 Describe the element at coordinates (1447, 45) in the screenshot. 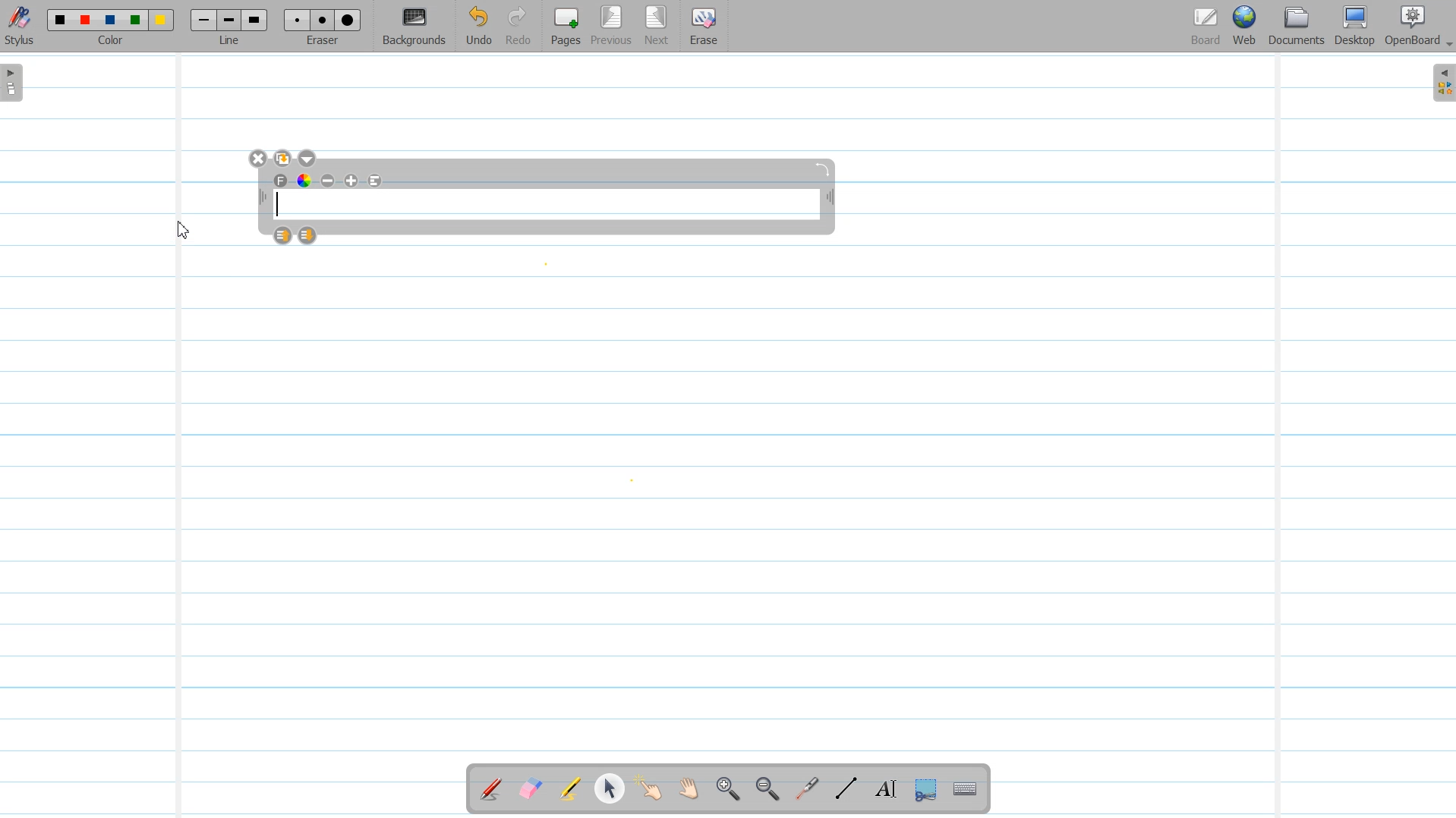

I see `Drop Down Box` at that location.